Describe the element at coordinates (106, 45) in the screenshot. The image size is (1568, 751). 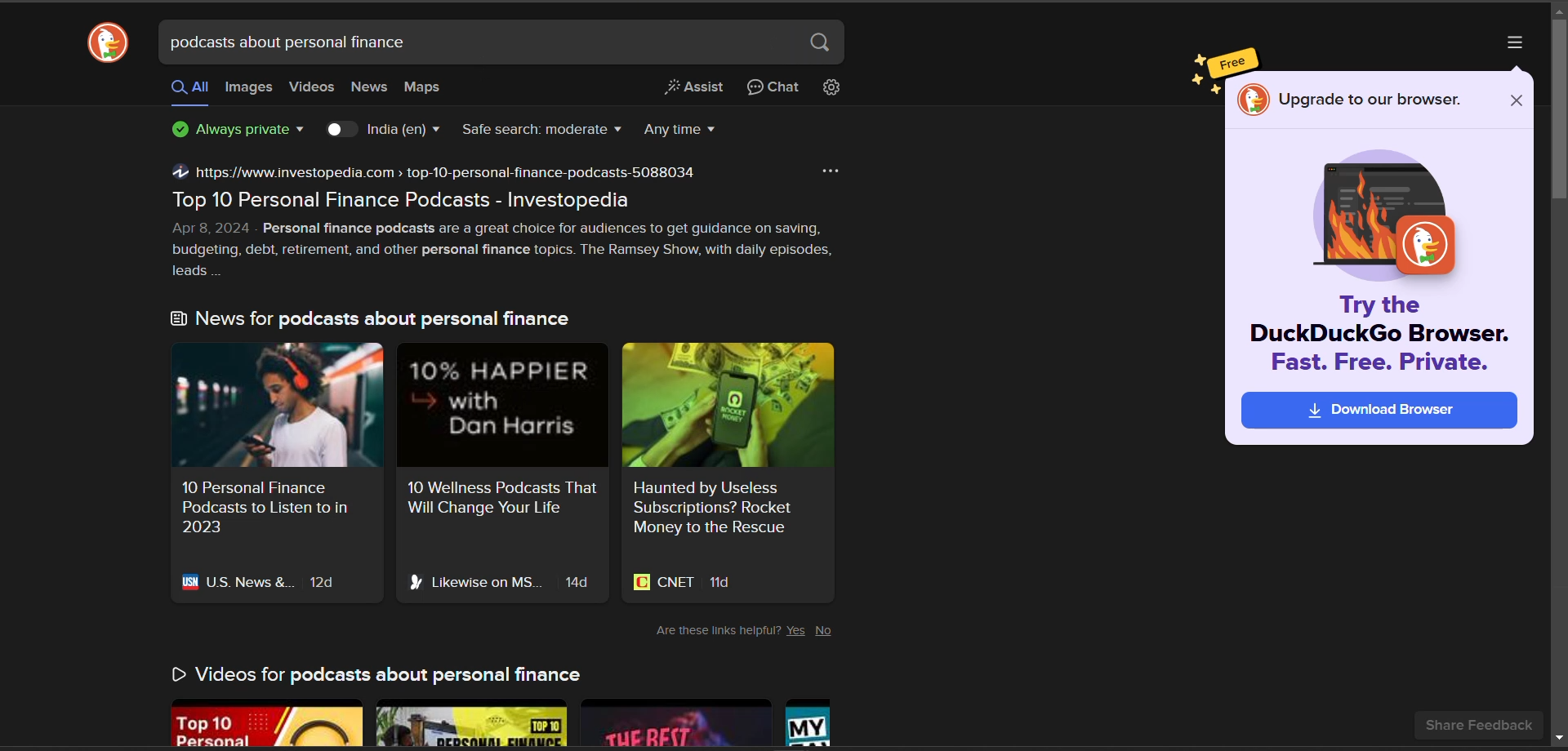
I see `logo` at that location.